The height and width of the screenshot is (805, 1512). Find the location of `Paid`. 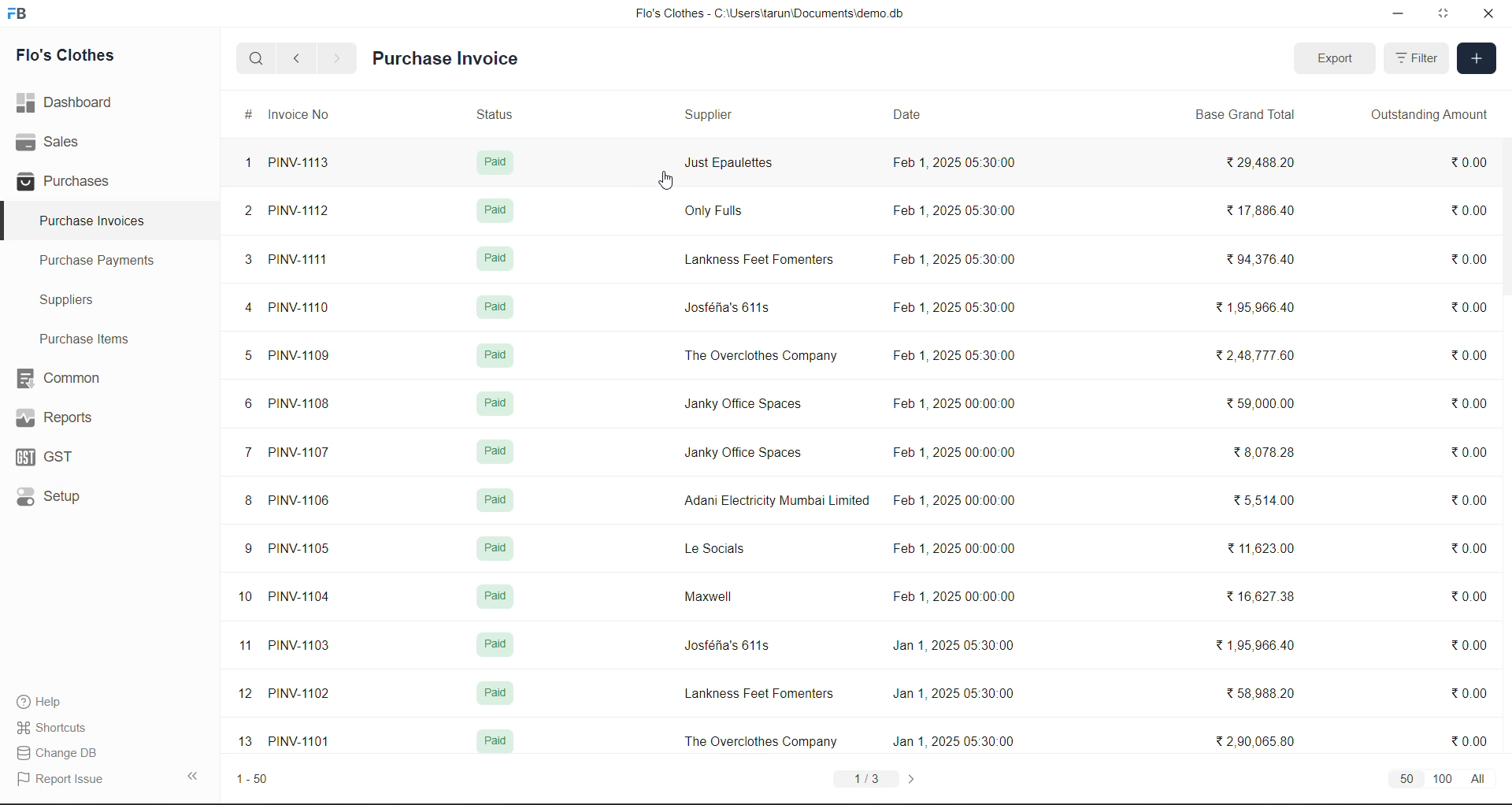

Paid is located at coordinates (498, 306).